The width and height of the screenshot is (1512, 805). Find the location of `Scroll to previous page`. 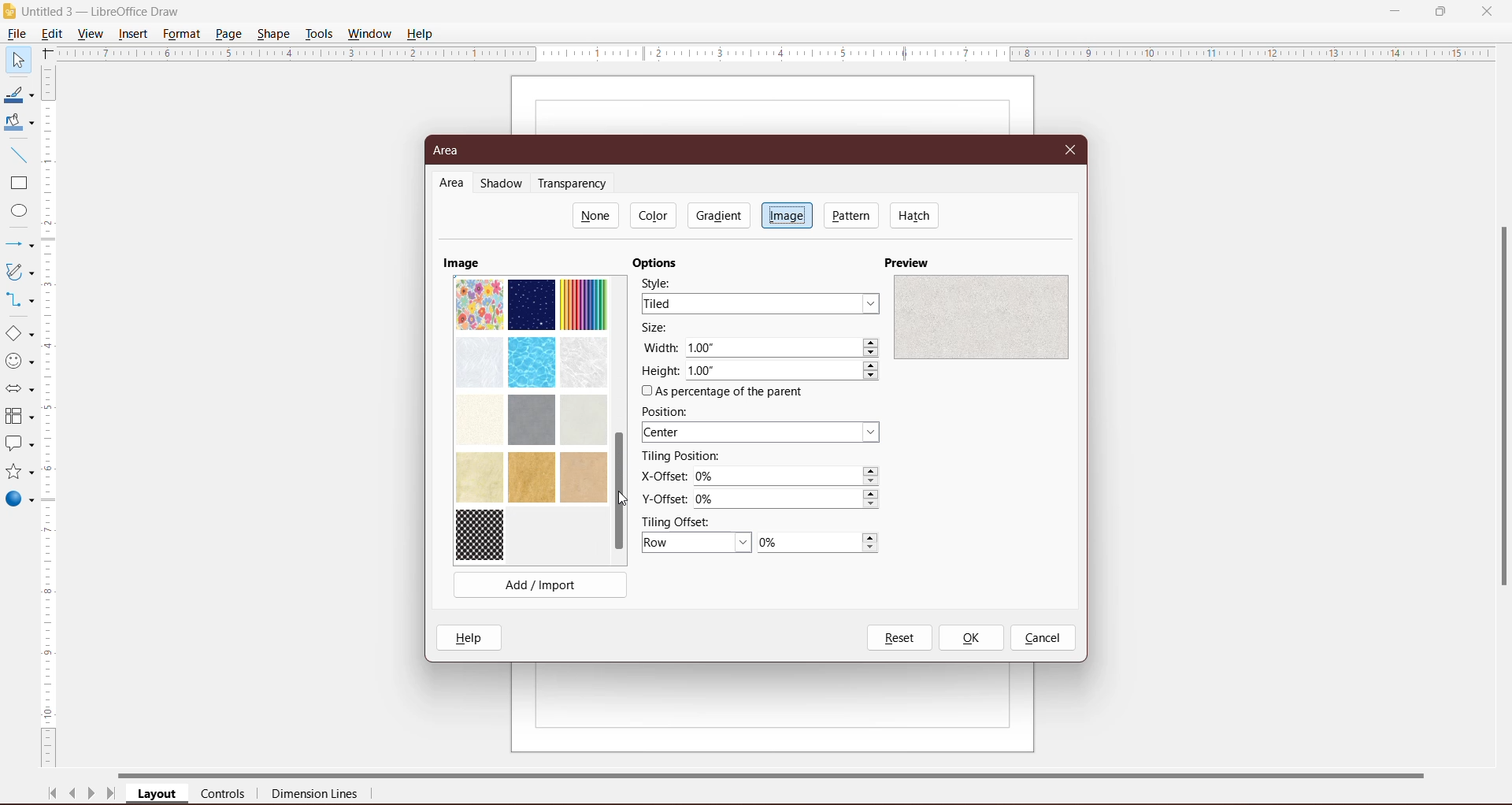

Scroll to previous page is located at coordinates (74, 796).